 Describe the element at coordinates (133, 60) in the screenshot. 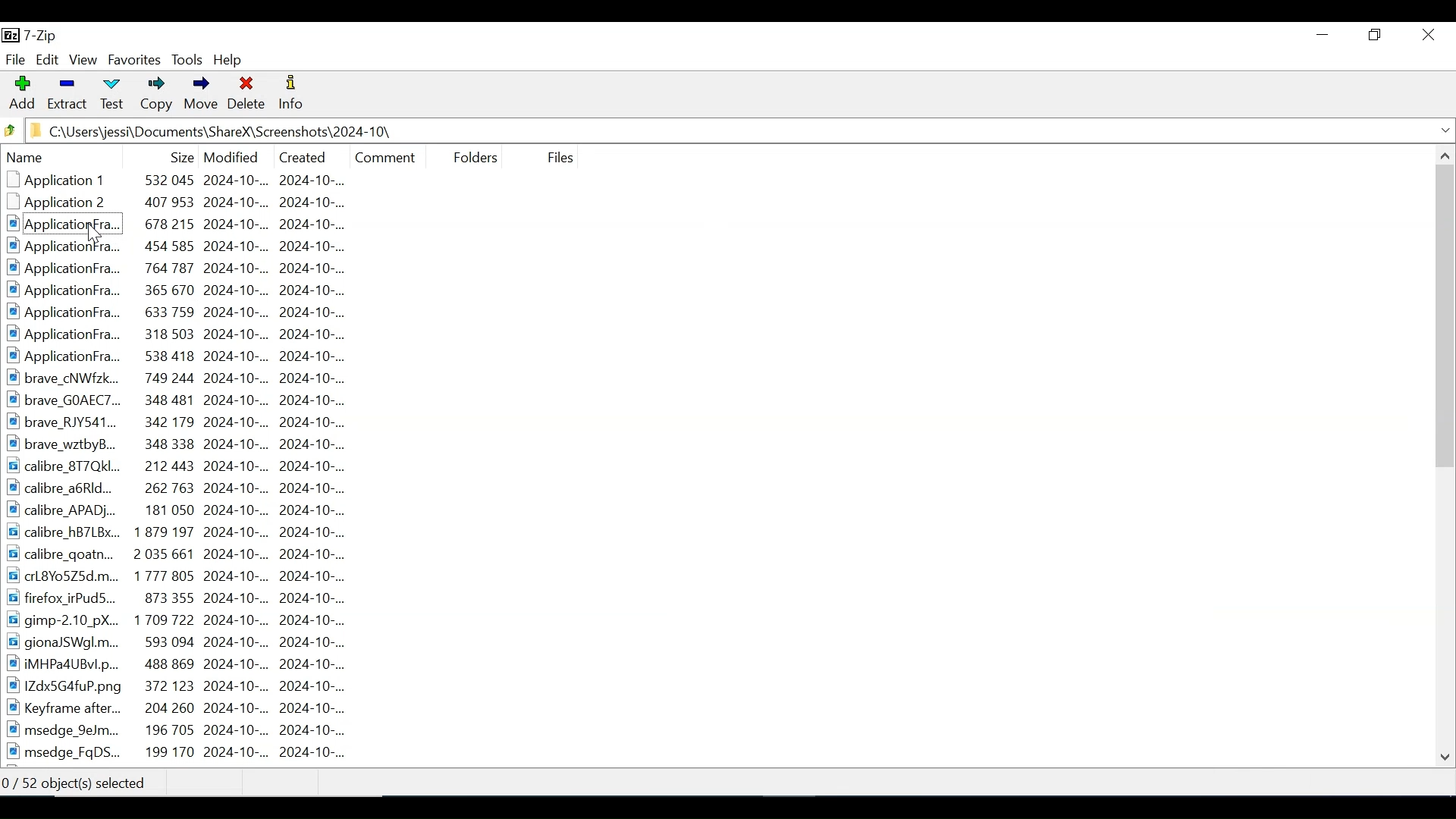

I see `Favorites` at that location.